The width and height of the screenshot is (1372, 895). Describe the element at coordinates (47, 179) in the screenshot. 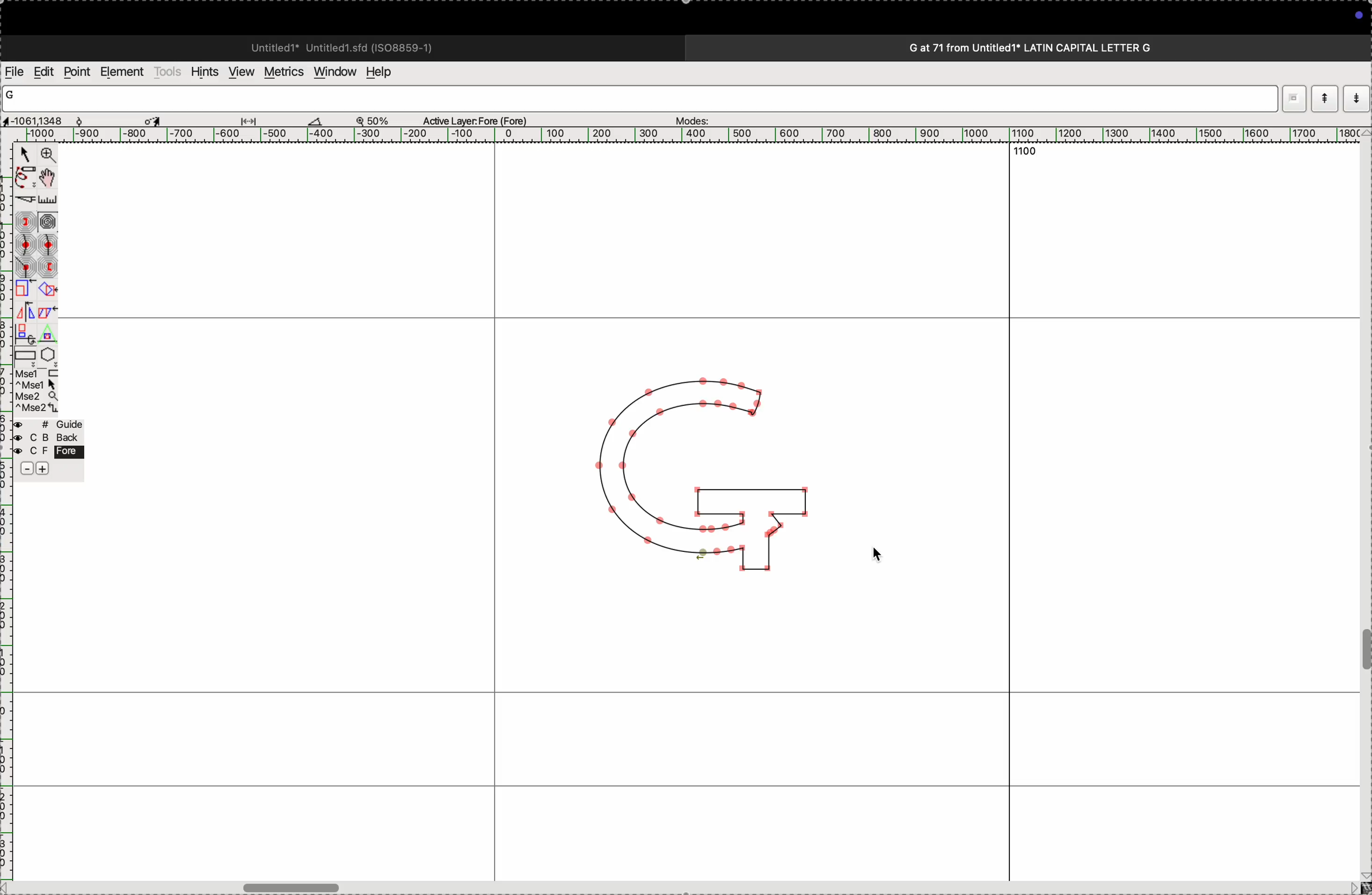

I see `Pan` at that location.